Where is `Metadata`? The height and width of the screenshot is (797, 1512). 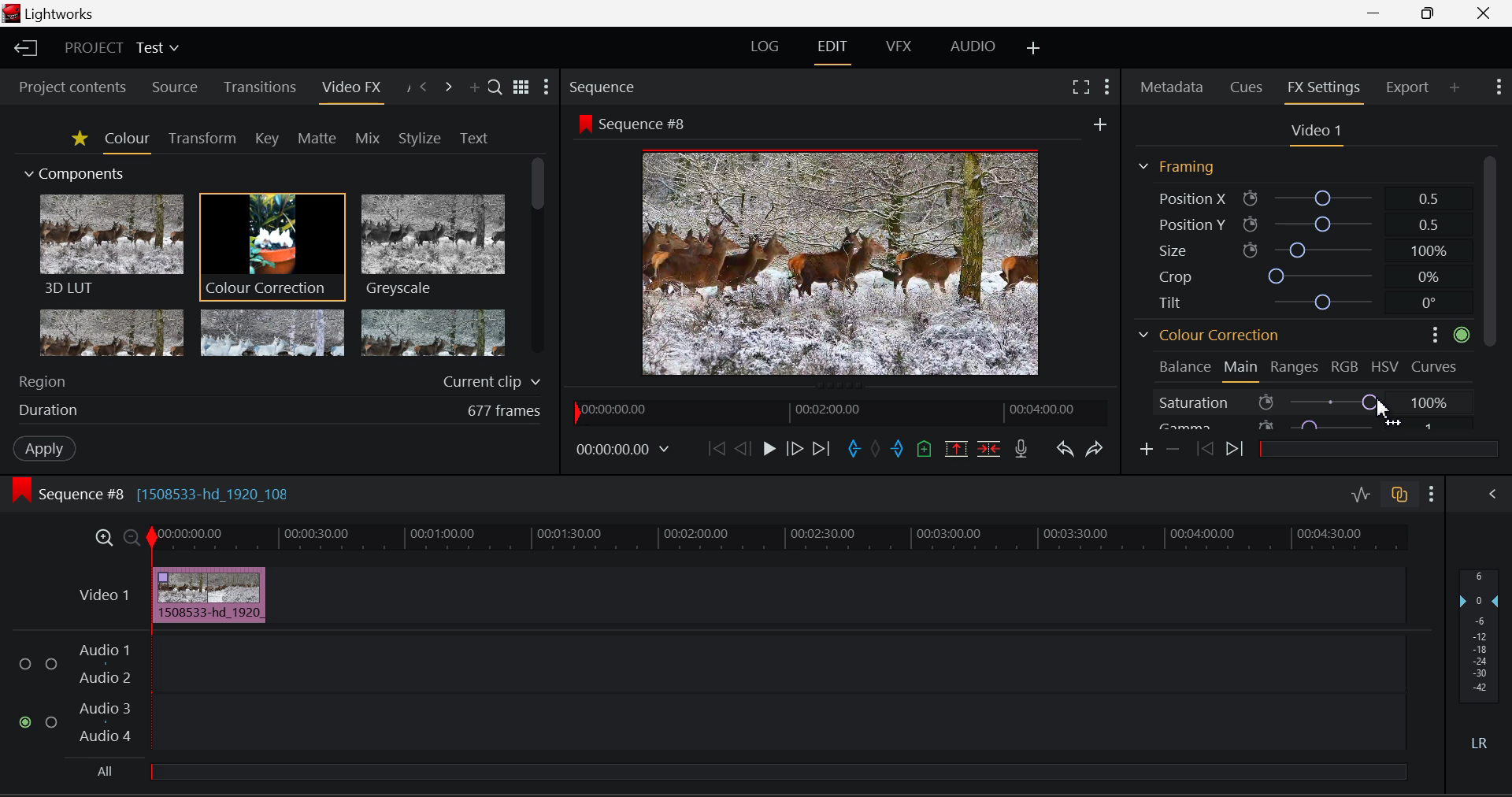
Metadata is located at coordinates (1172, 88).